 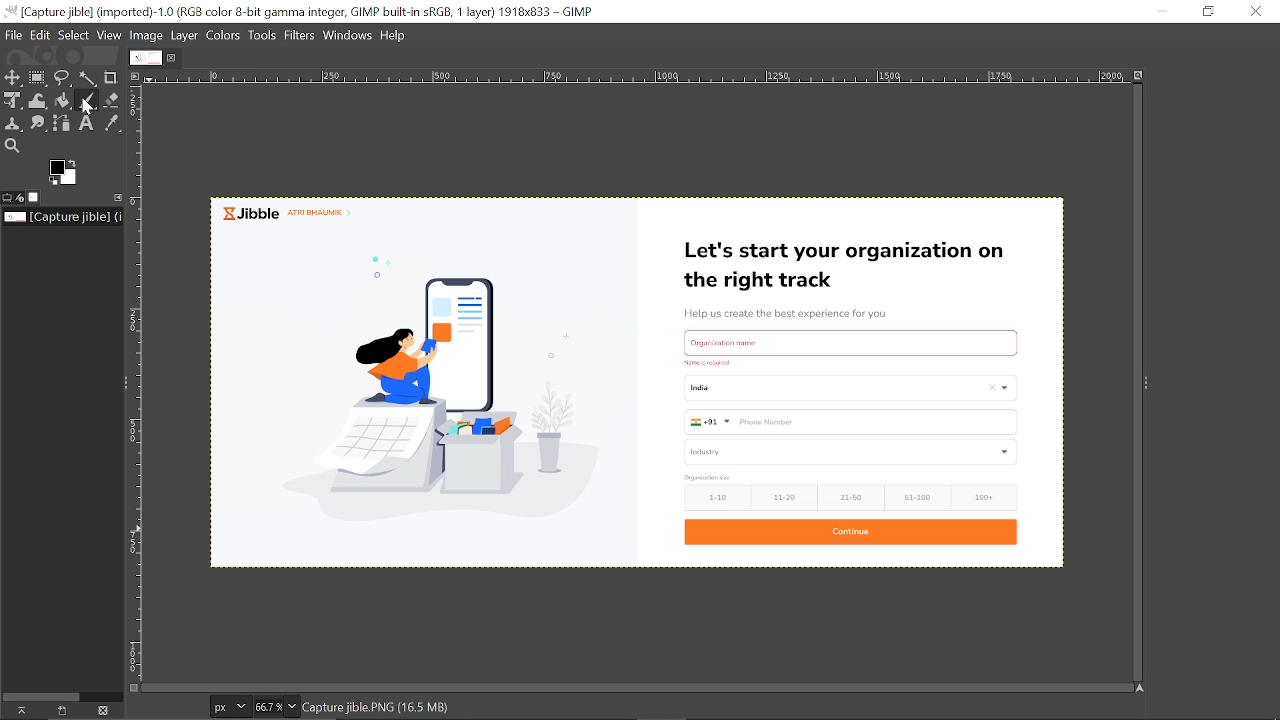 I want to click on Eraser tool, so click(x=112, y=100).